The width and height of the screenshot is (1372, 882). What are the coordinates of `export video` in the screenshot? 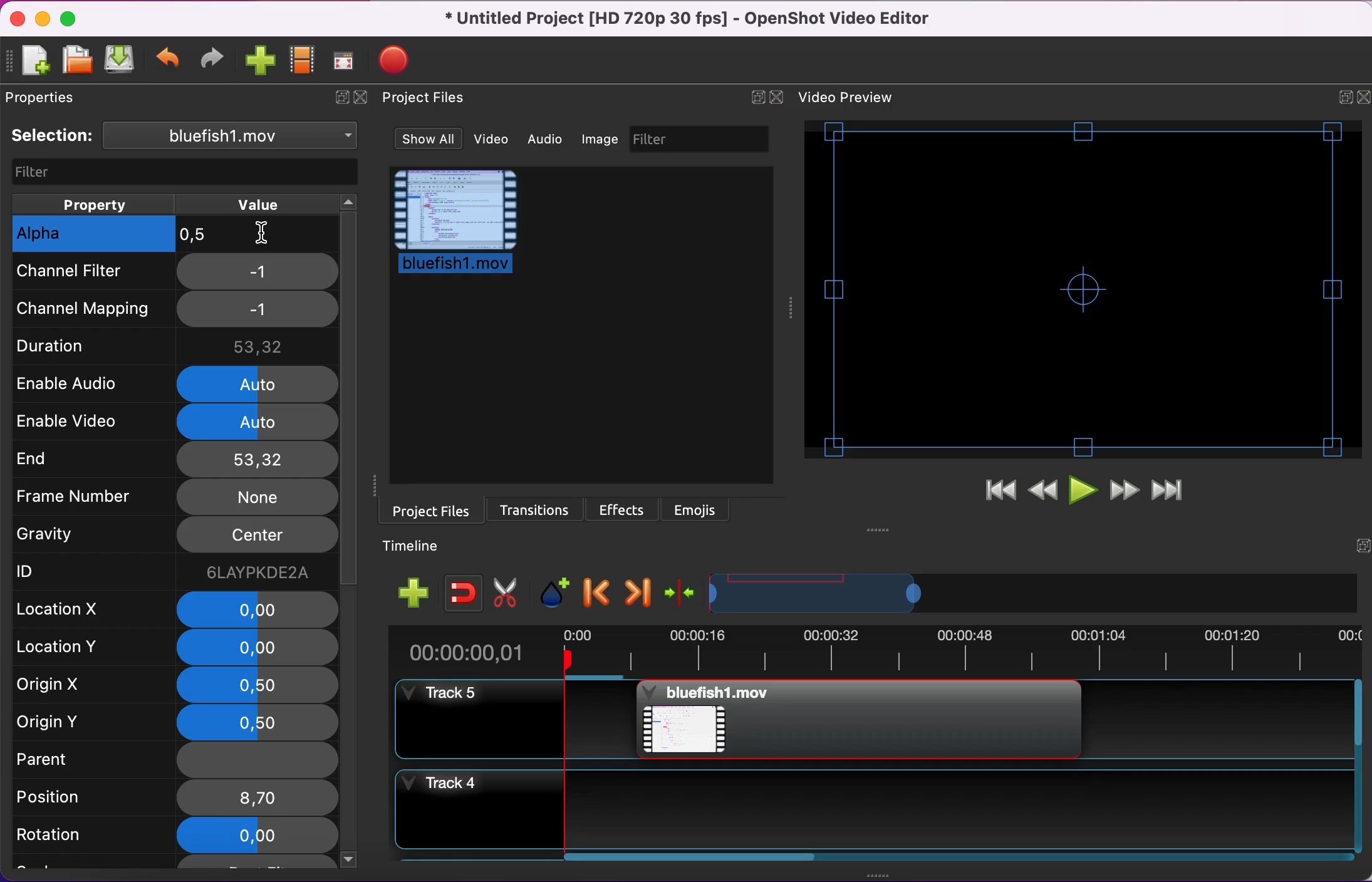 It's located at (400, 64).